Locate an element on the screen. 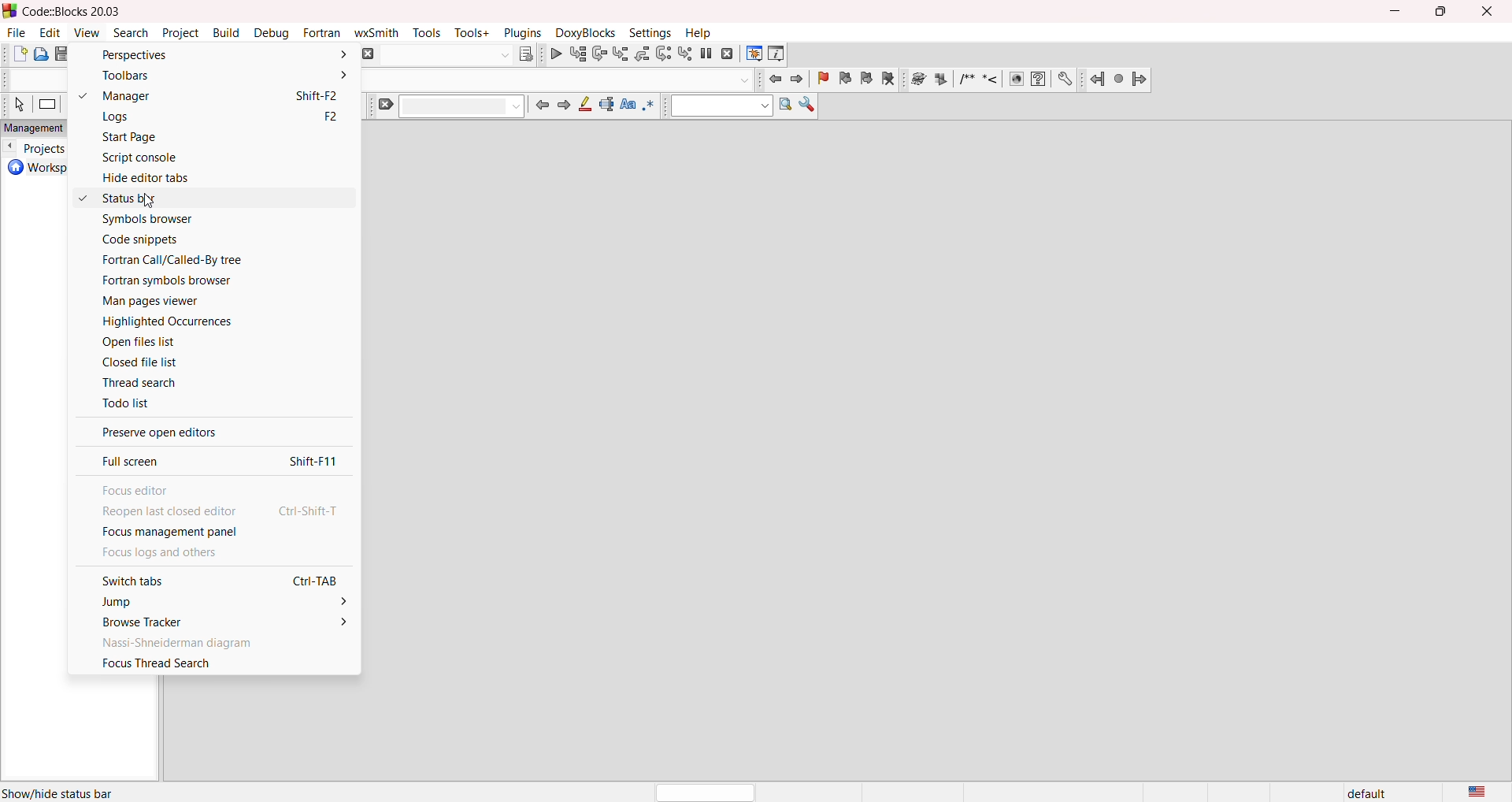  next bookmark is located at coordinates (869, 80).